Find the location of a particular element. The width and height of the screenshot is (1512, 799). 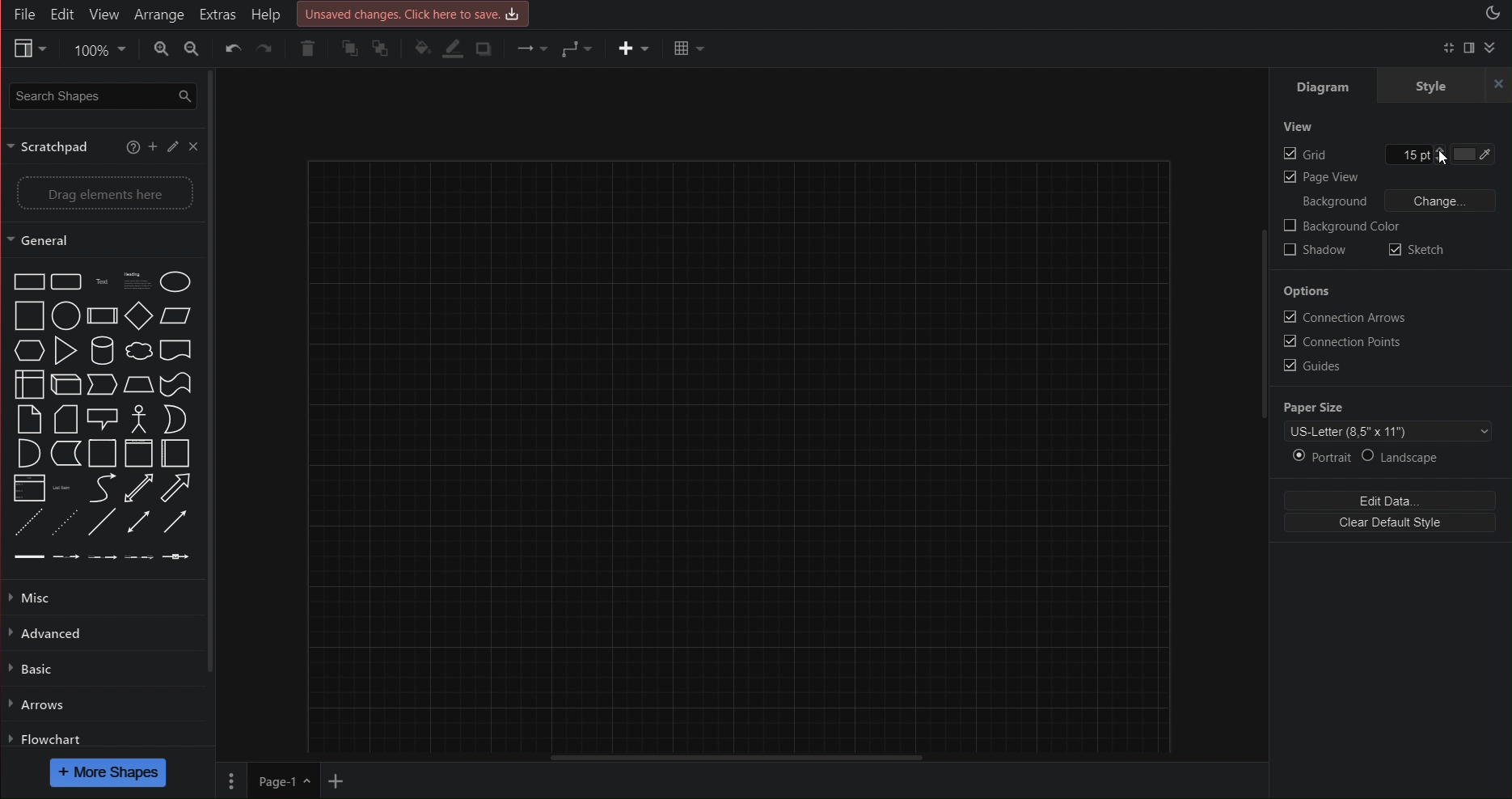

View is located at coordinates (104, 14).